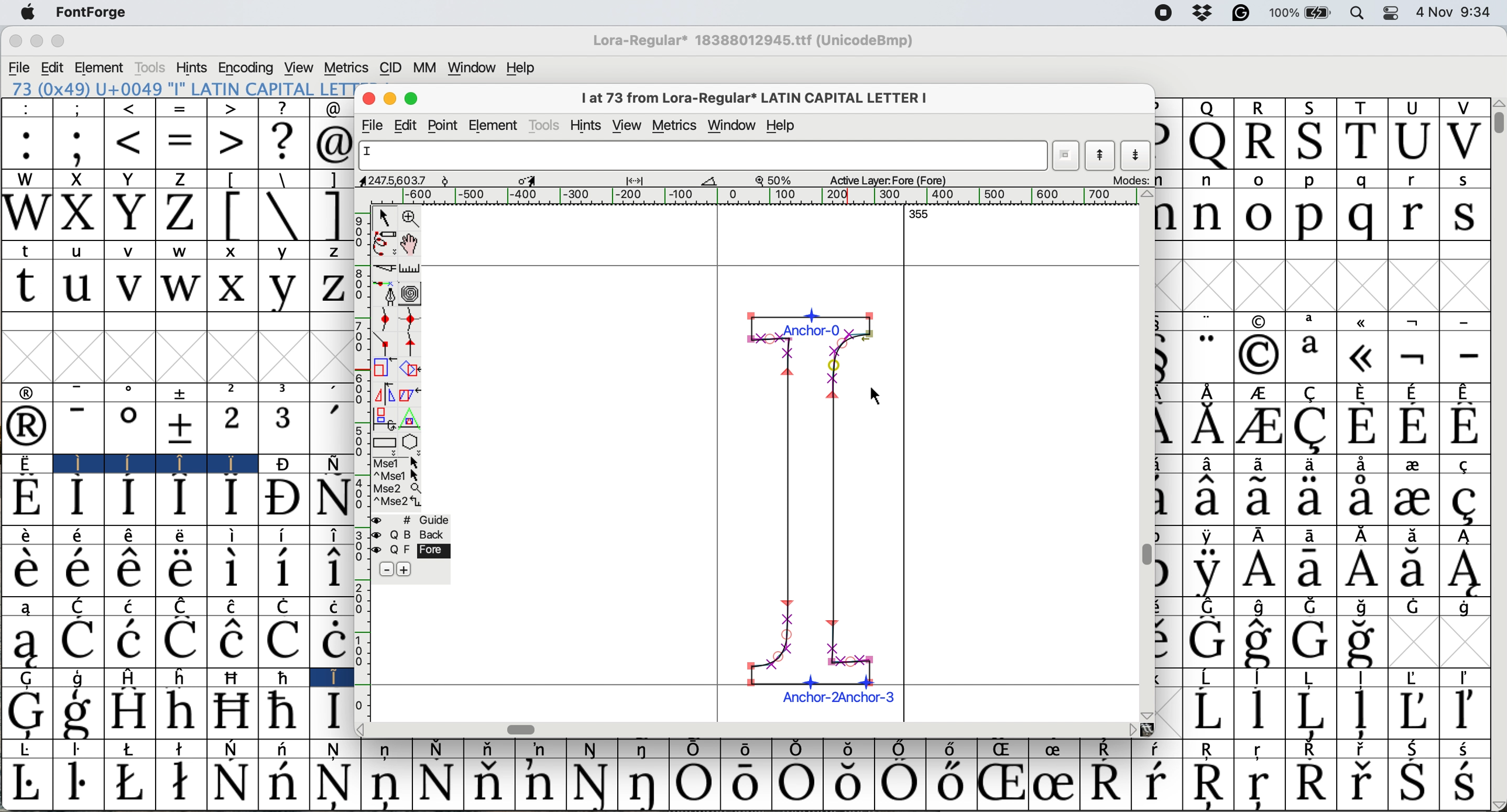  Describe the element at coordinates (77, 179) in the screenshot. I see `X` at that location.